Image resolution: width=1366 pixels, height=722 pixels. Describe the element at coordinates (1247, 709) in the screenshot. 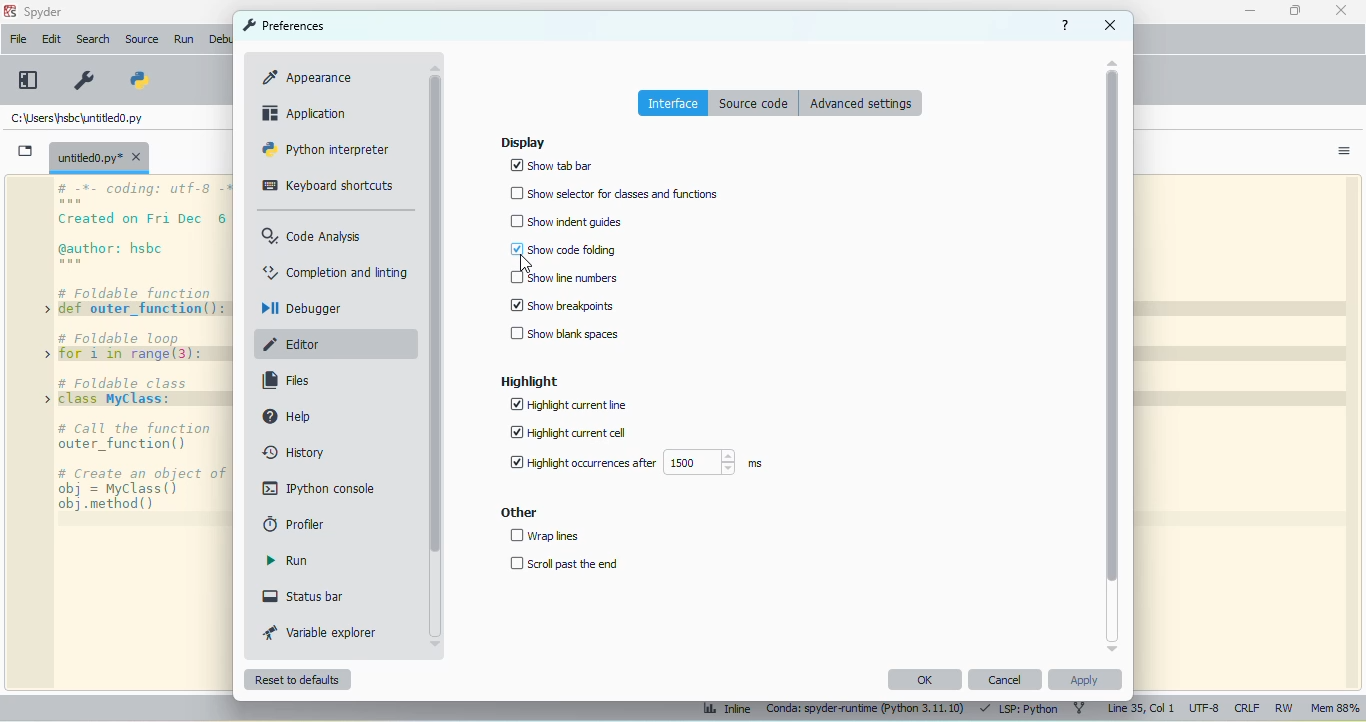

I see `CRLF` at that location.